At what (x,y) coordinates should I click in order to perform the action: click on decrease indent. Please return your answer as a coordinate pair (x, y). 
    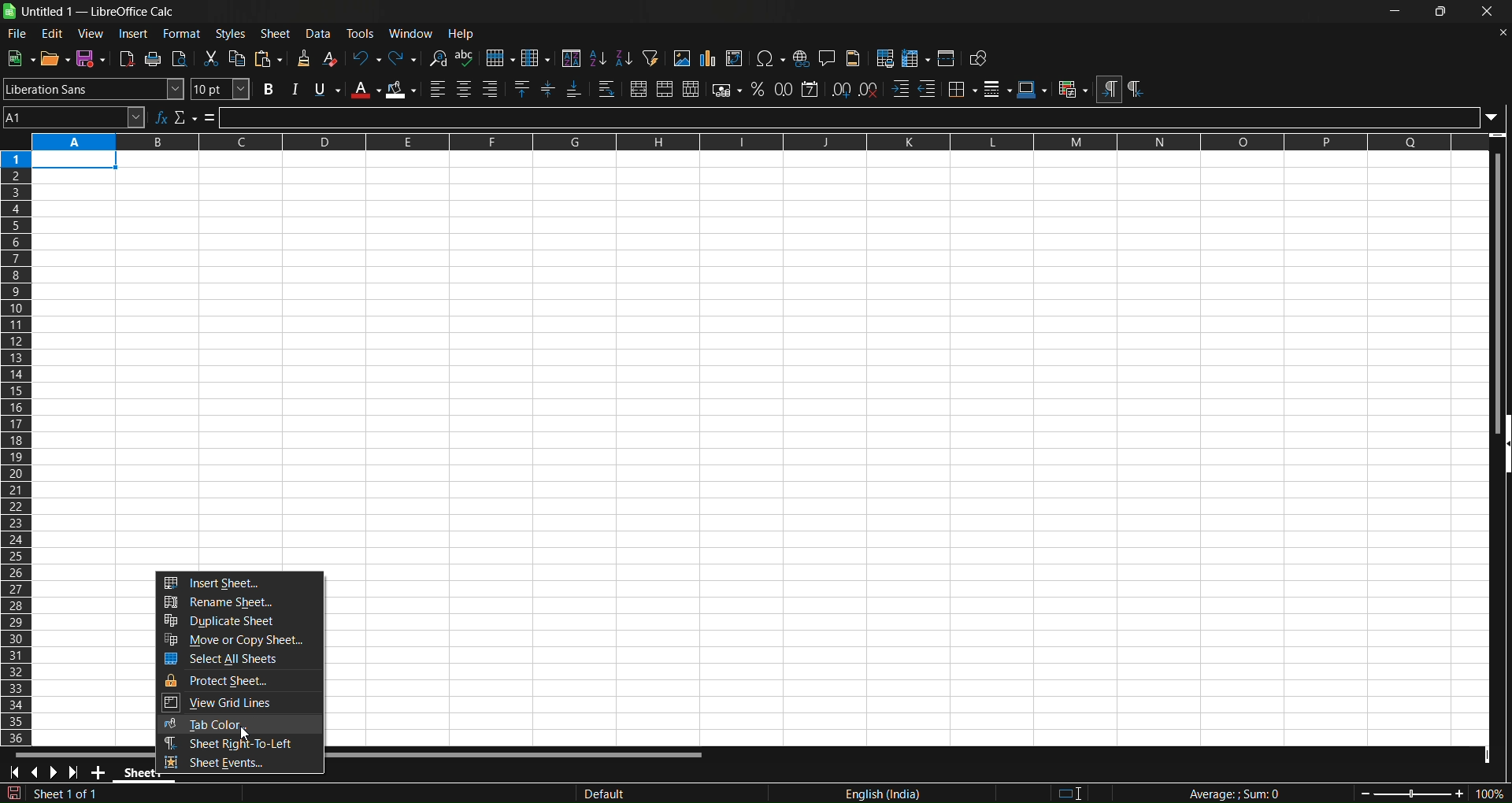
    Looking at the image, I should click on (928, 89).